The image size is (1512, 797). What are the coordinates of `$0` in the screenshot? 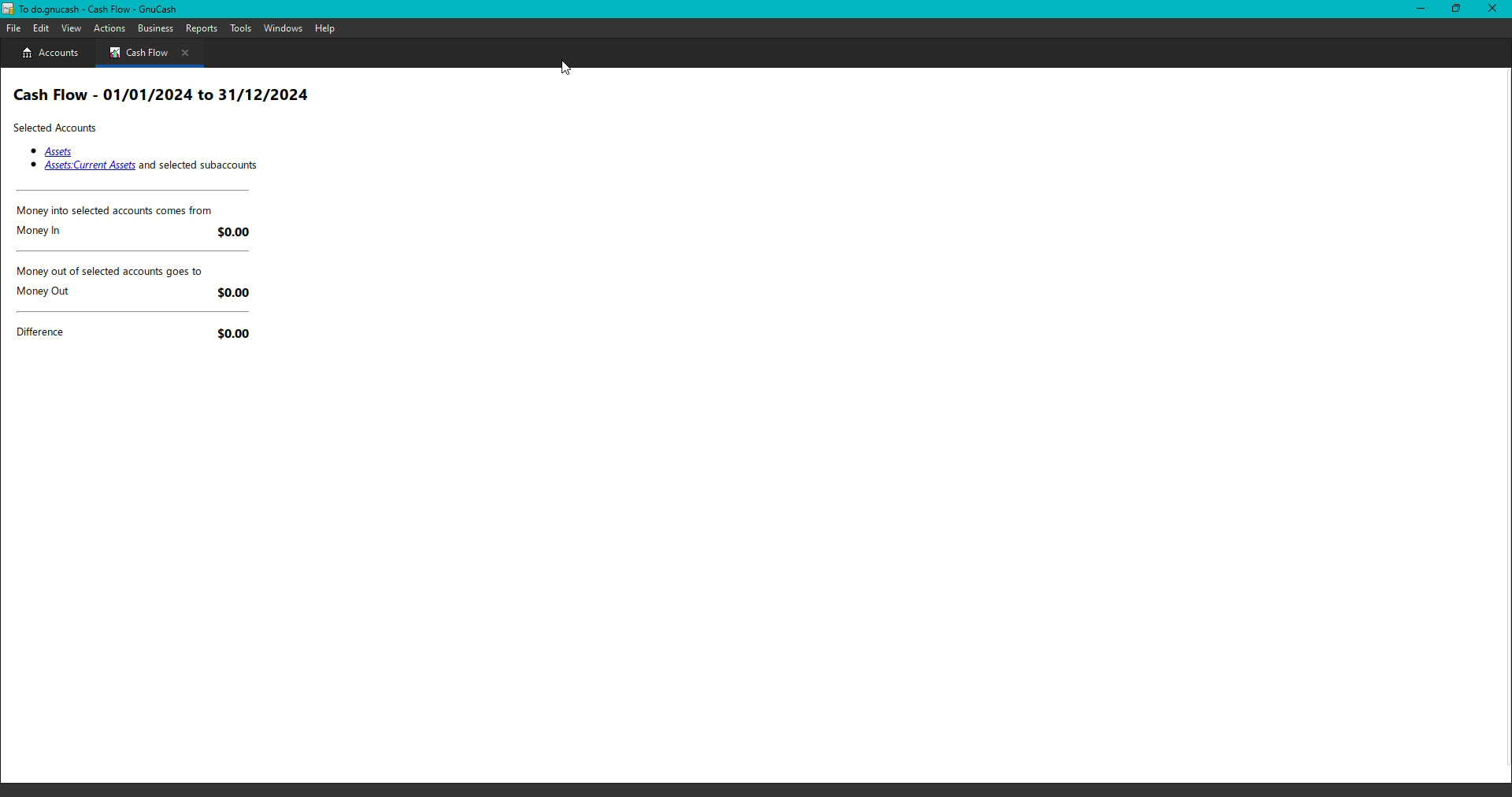 It's located at (233, 294).